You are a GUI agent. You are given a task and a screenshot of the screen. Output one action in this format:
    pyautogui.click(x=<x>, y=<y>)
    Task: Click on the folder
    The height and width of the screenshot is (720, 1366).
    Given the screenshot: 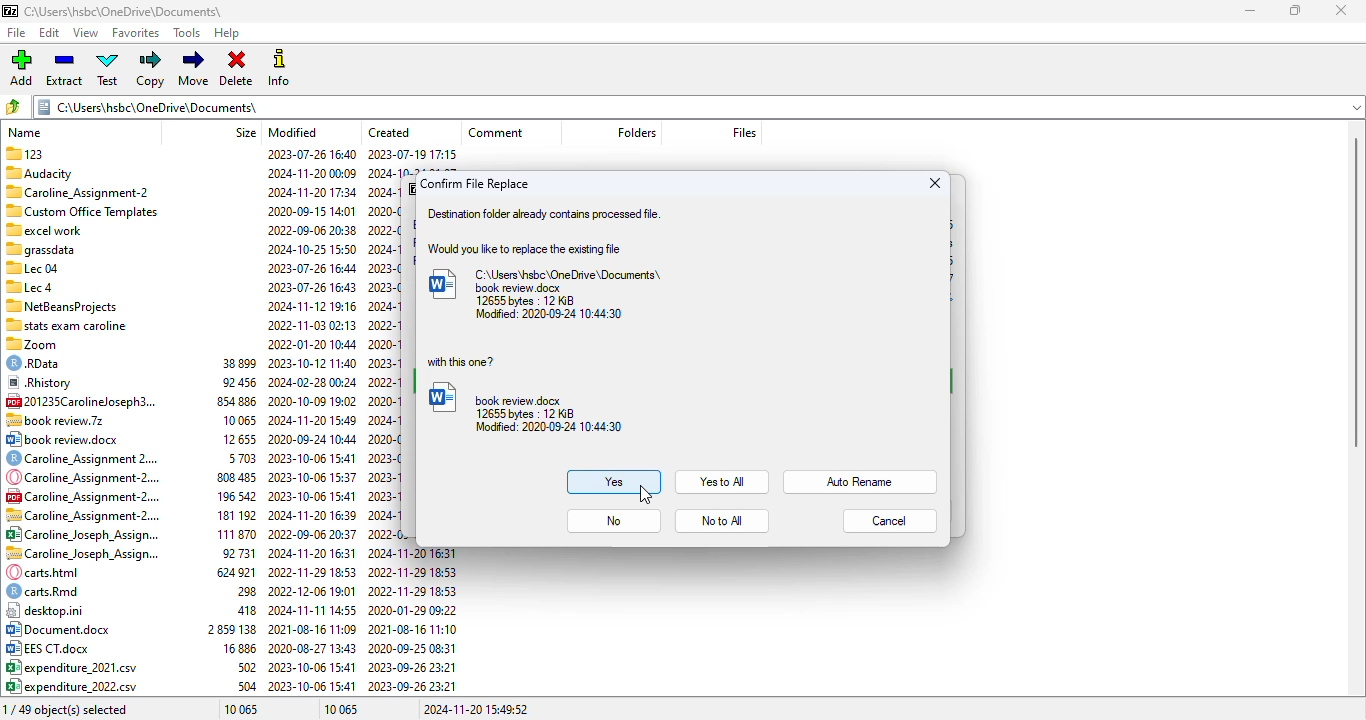 What is the action you would take?
    pyautogui.click(x=635, y=132)
    